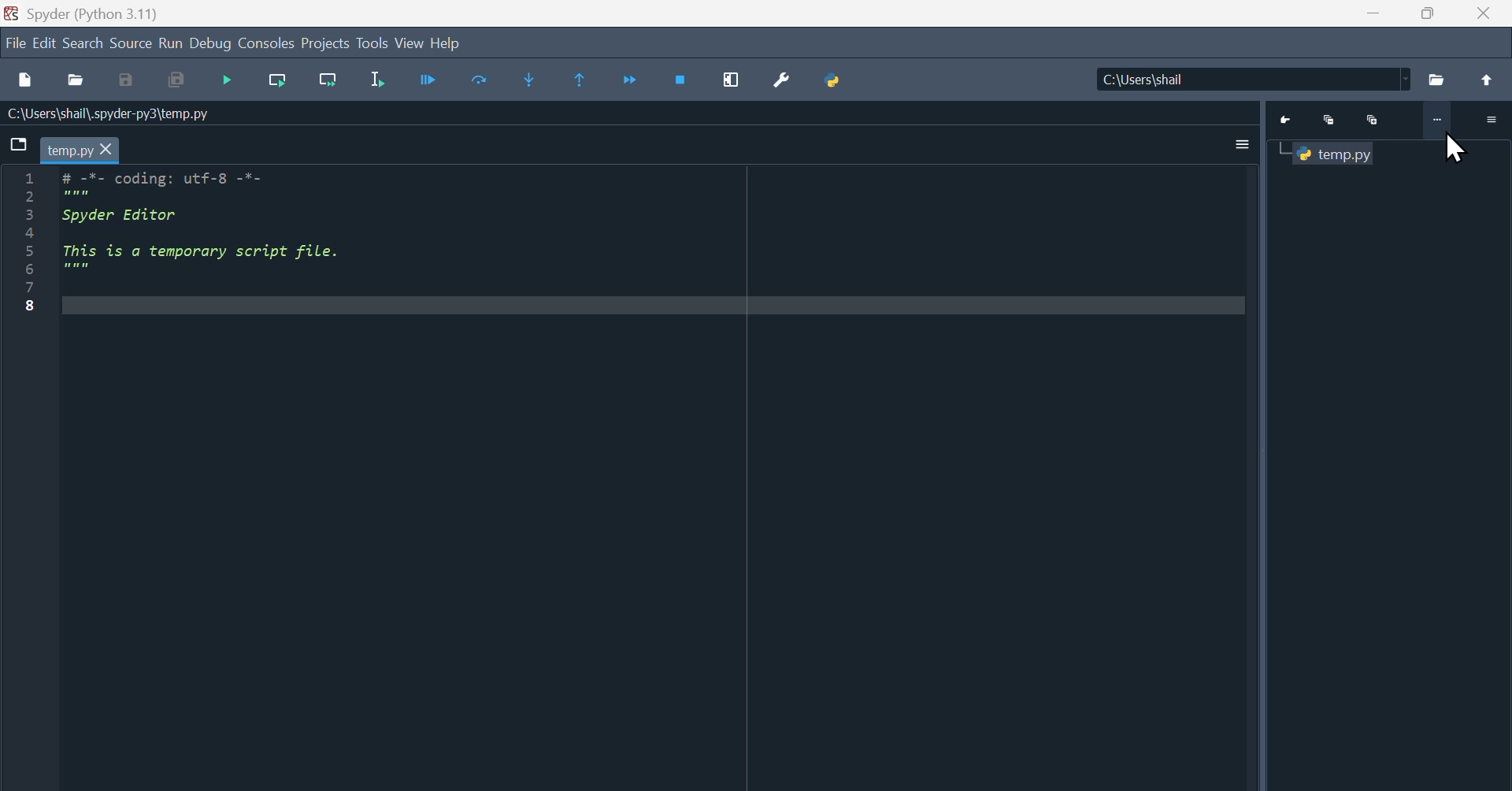  Describe the element at coordinates (1332, 121) in the screenshot. I see `Minimize` at that location.